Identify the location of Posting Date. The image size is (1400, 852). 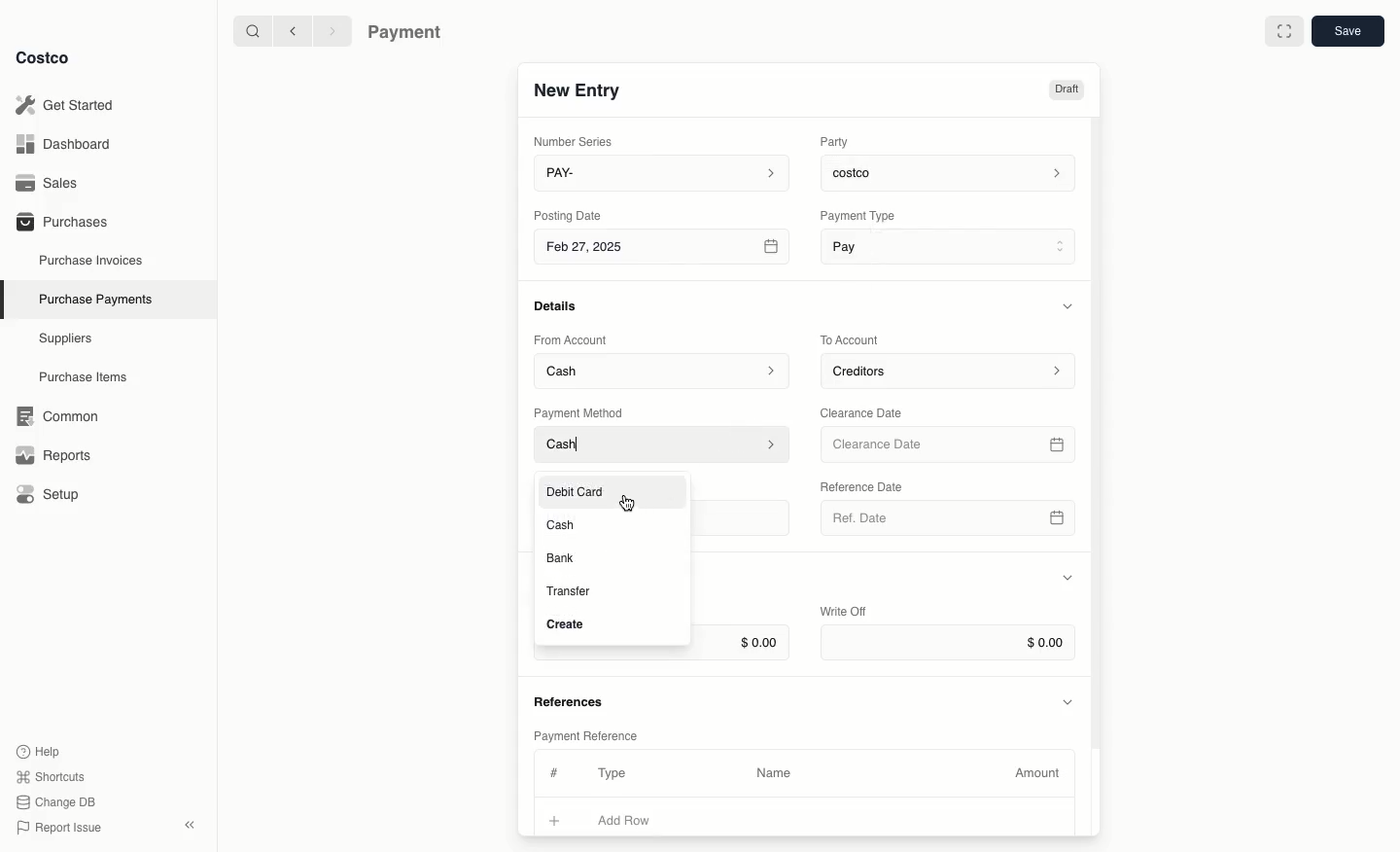
(570, 214).